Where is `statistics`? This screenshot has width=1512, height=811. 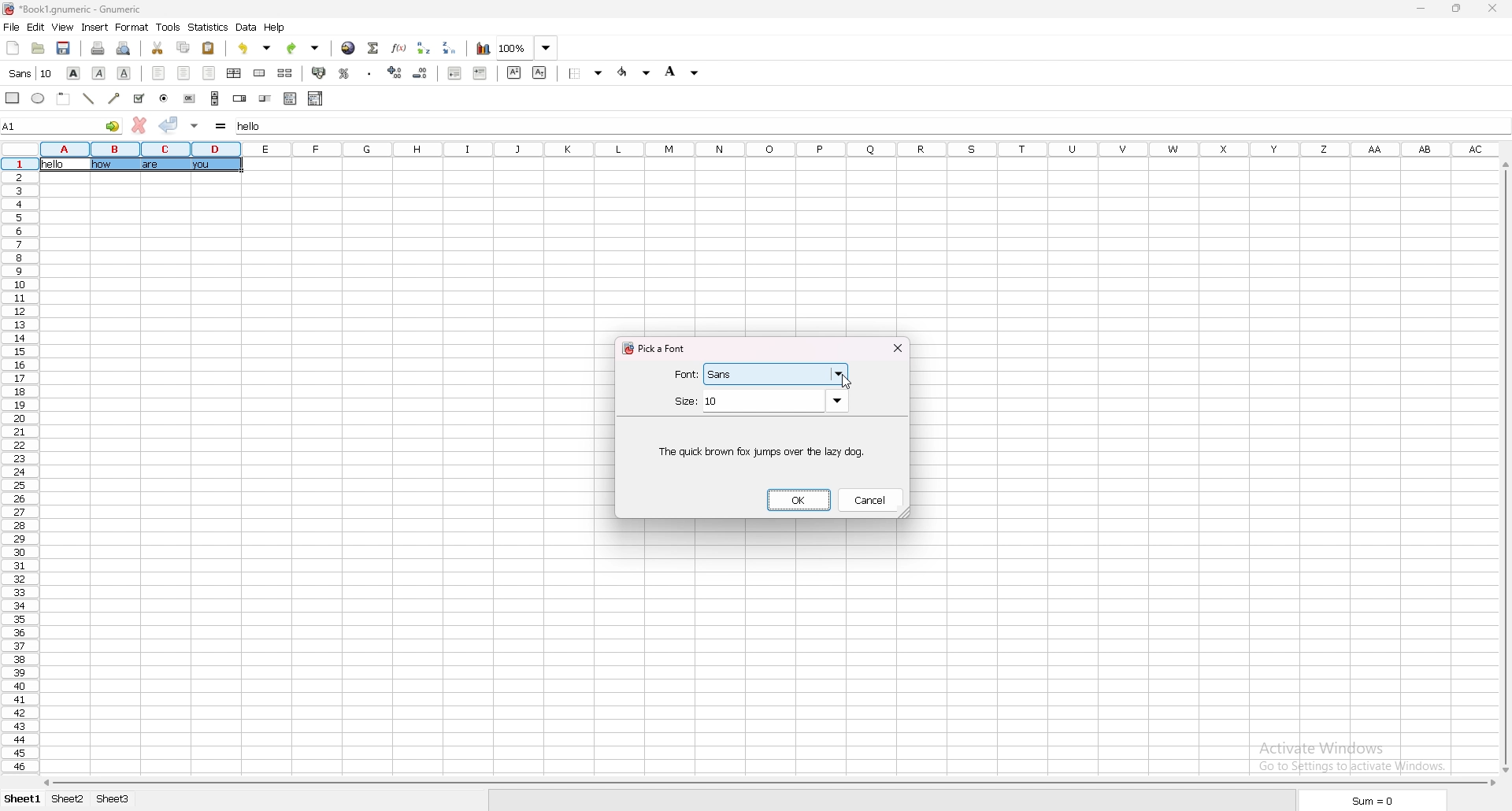 statistics is located at coordinates (209, 27).